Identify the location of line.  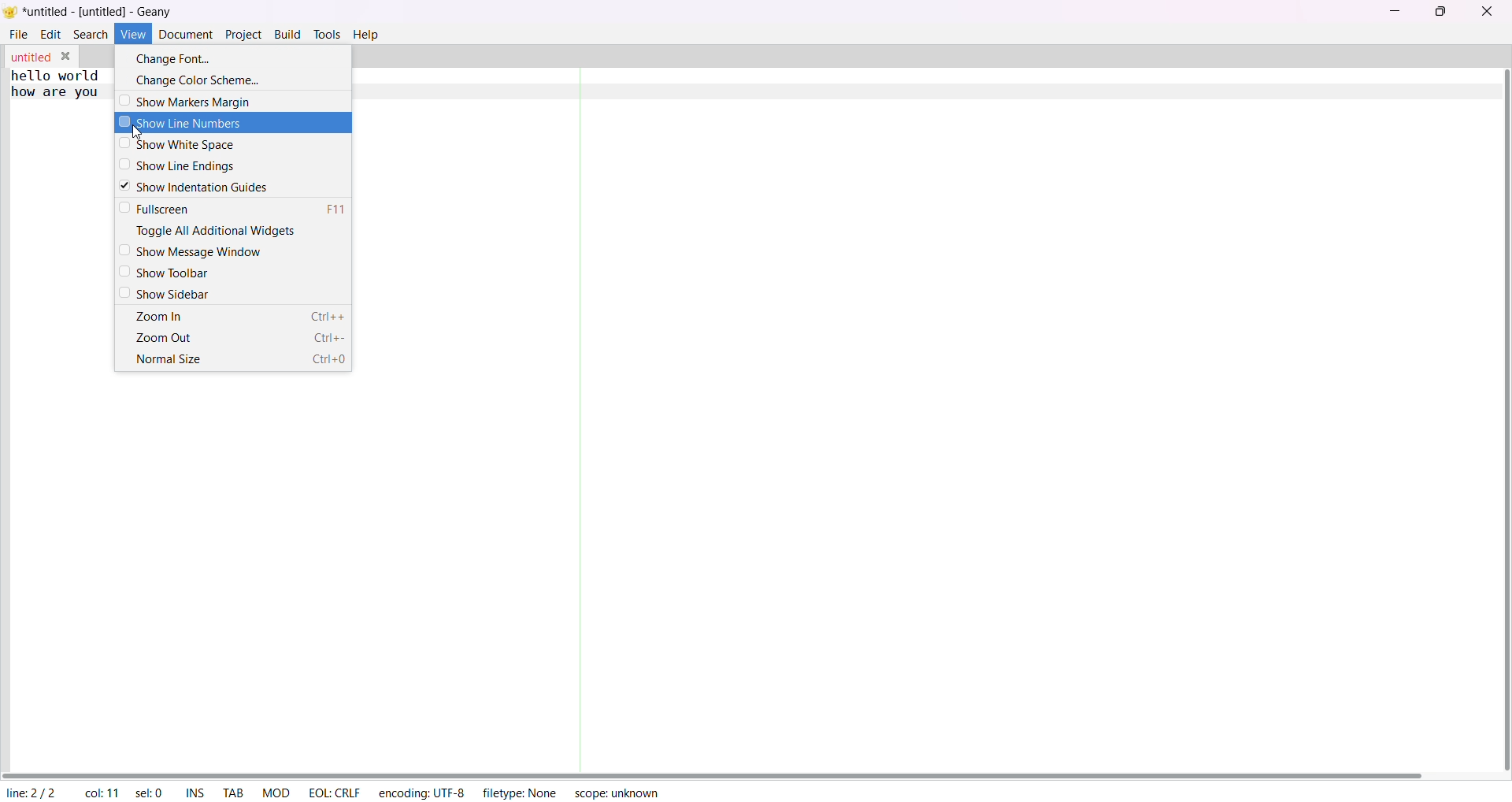
(31, 790).